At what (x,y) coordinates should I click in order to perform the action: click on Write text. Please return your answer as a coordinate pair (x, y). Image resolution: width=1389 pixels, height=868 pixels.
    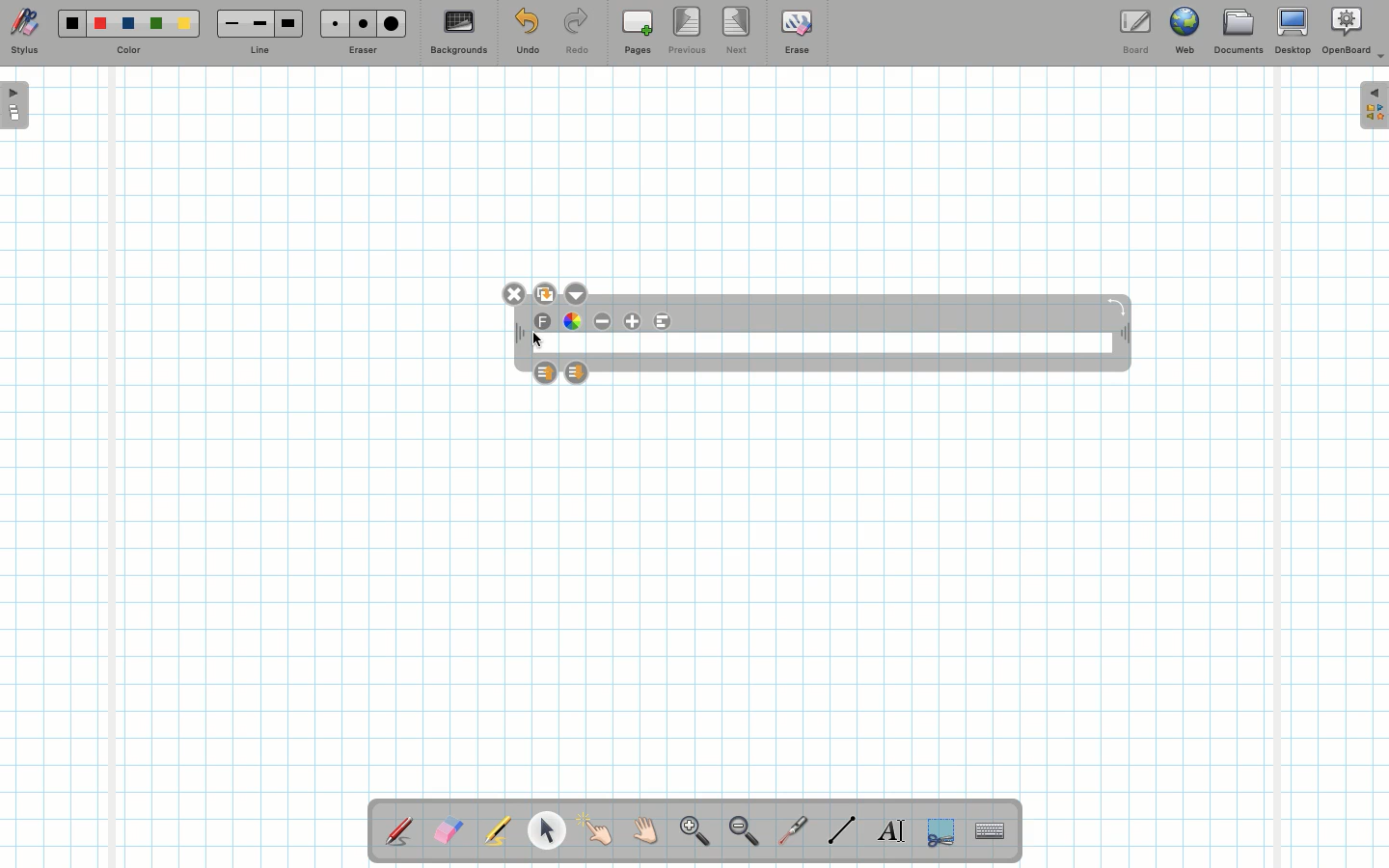
    Looking at the image, I should click on (893, 827).